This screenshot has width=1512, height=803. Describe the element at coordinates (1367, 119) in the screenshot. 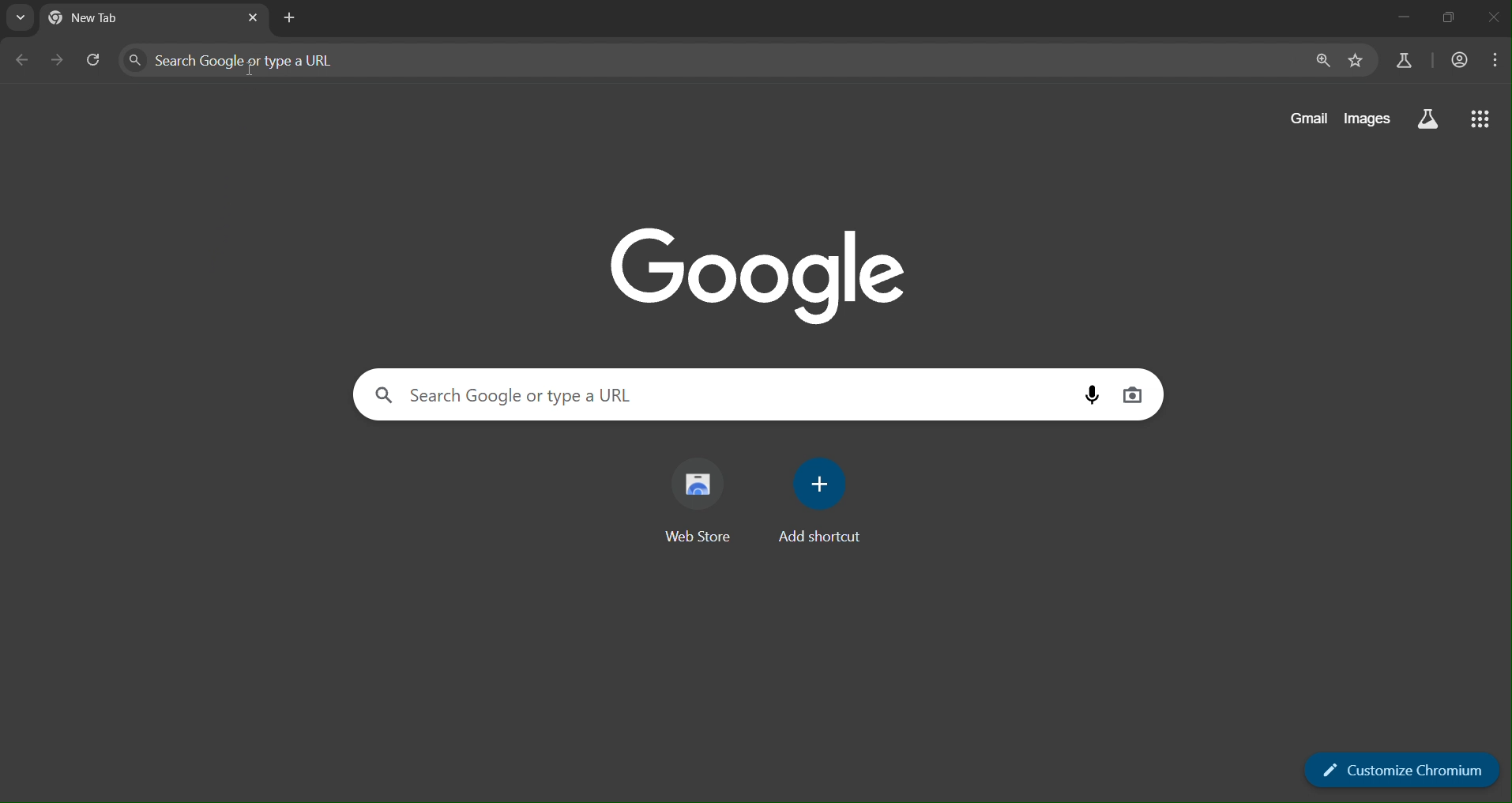

I see `images` at that location.